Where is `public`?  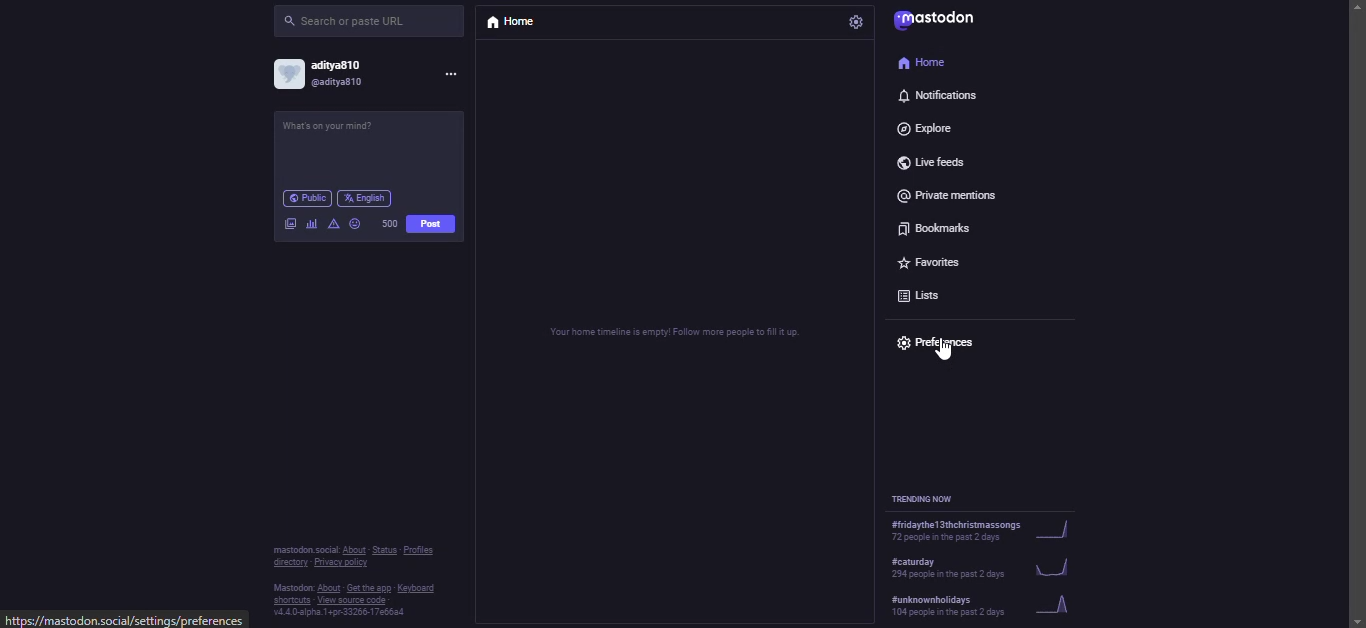
public is located at coordinates (308, 198).